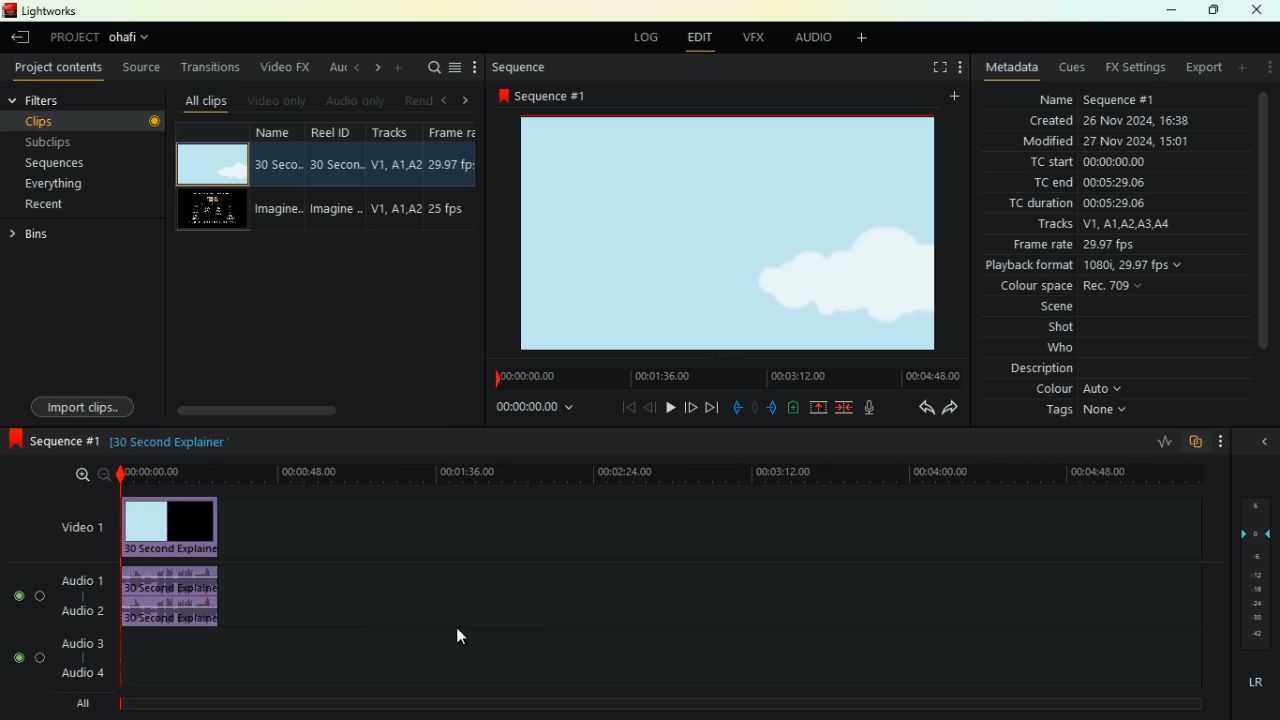  I want to click on fx settings, so click(1131, 68).